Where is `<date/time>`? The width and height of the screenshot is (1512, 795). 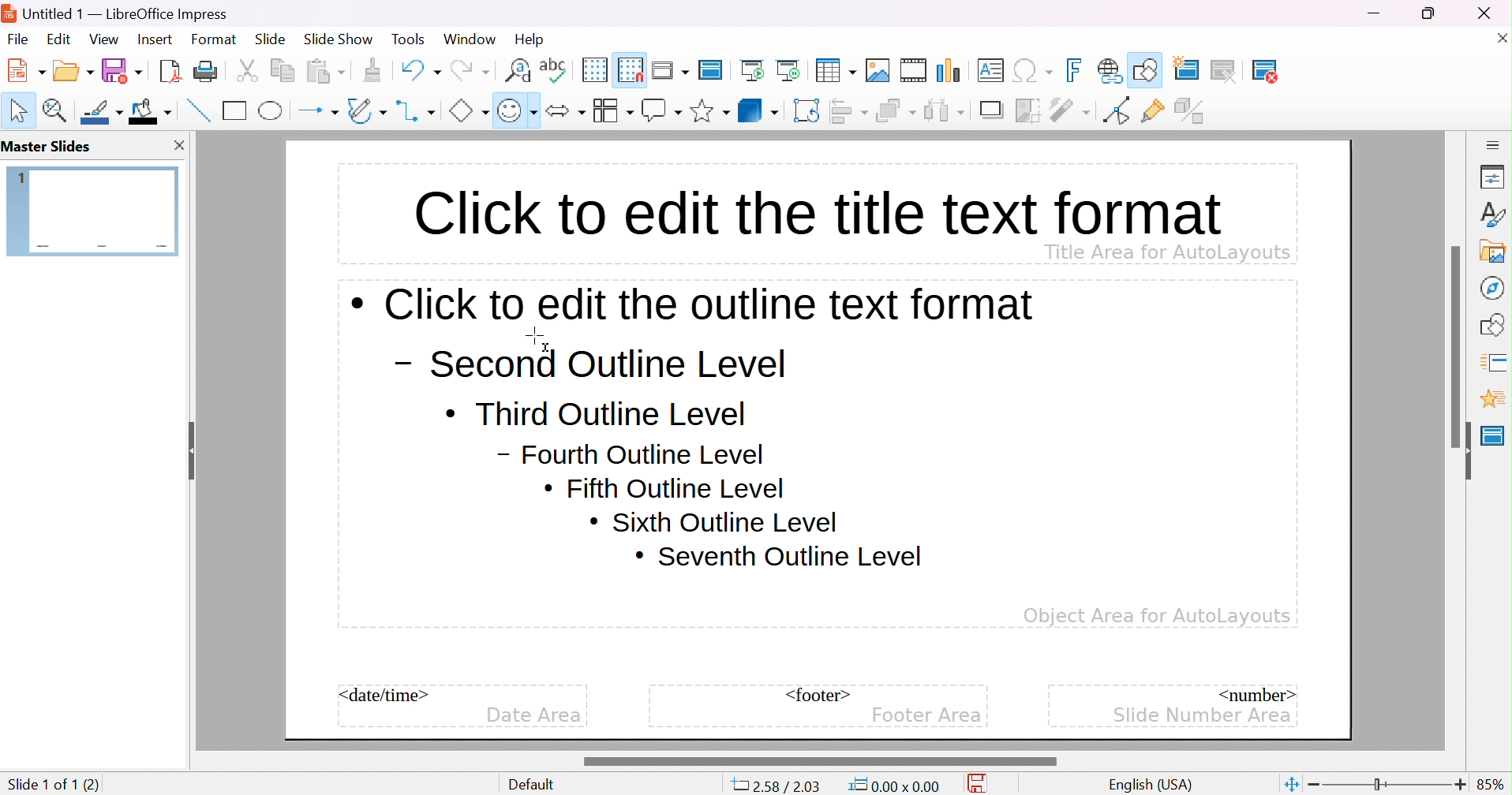 <date/time> is located at coordinates (385, 695).